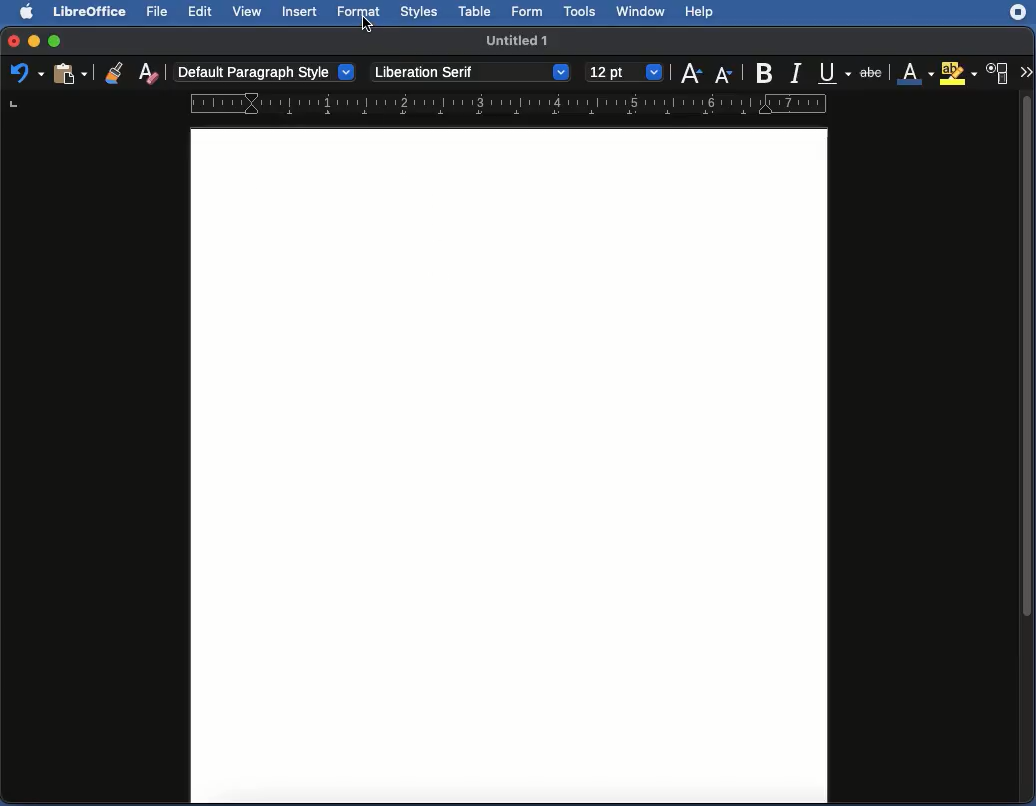 The image size is (1036, 806). I want to click on Bold, so click(765, 72).